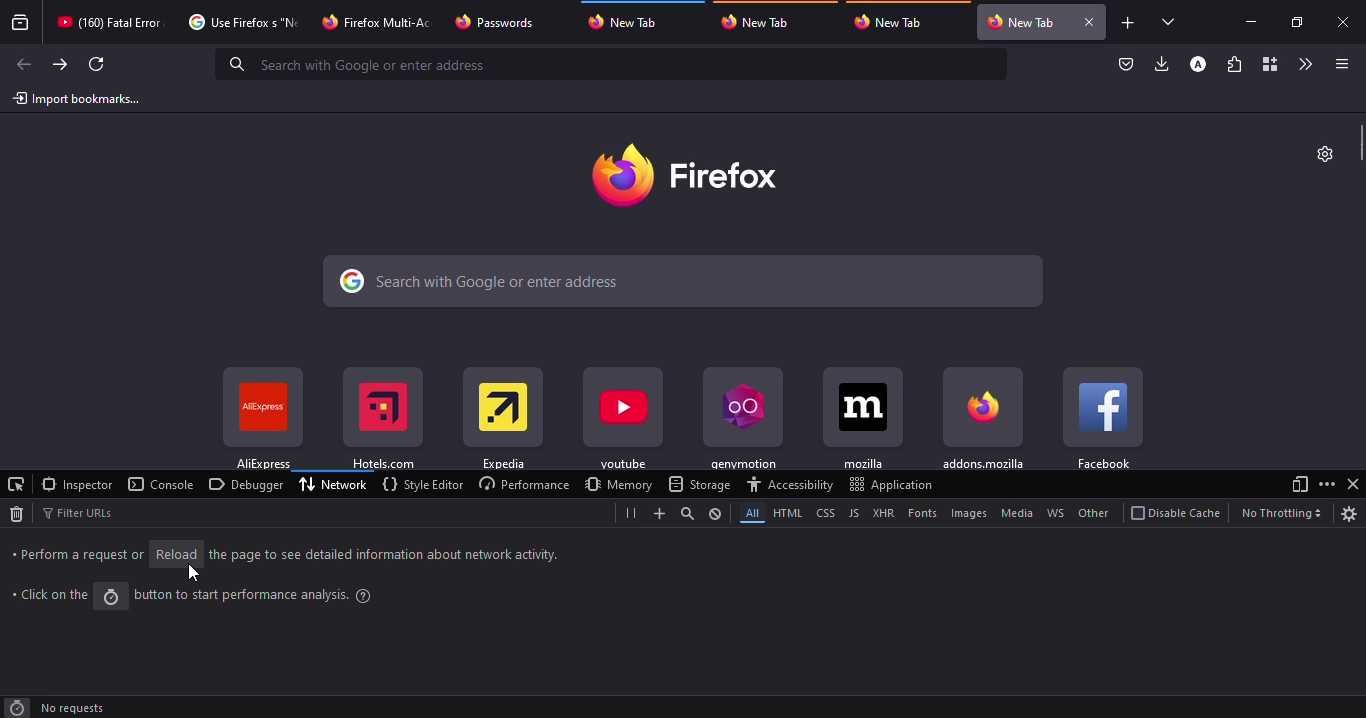 Image resolution: width=1366 pixels, height=718 pixels. Describe the element at coordinates (790, 484) in the screenshot. I see `accessibility` at that location.